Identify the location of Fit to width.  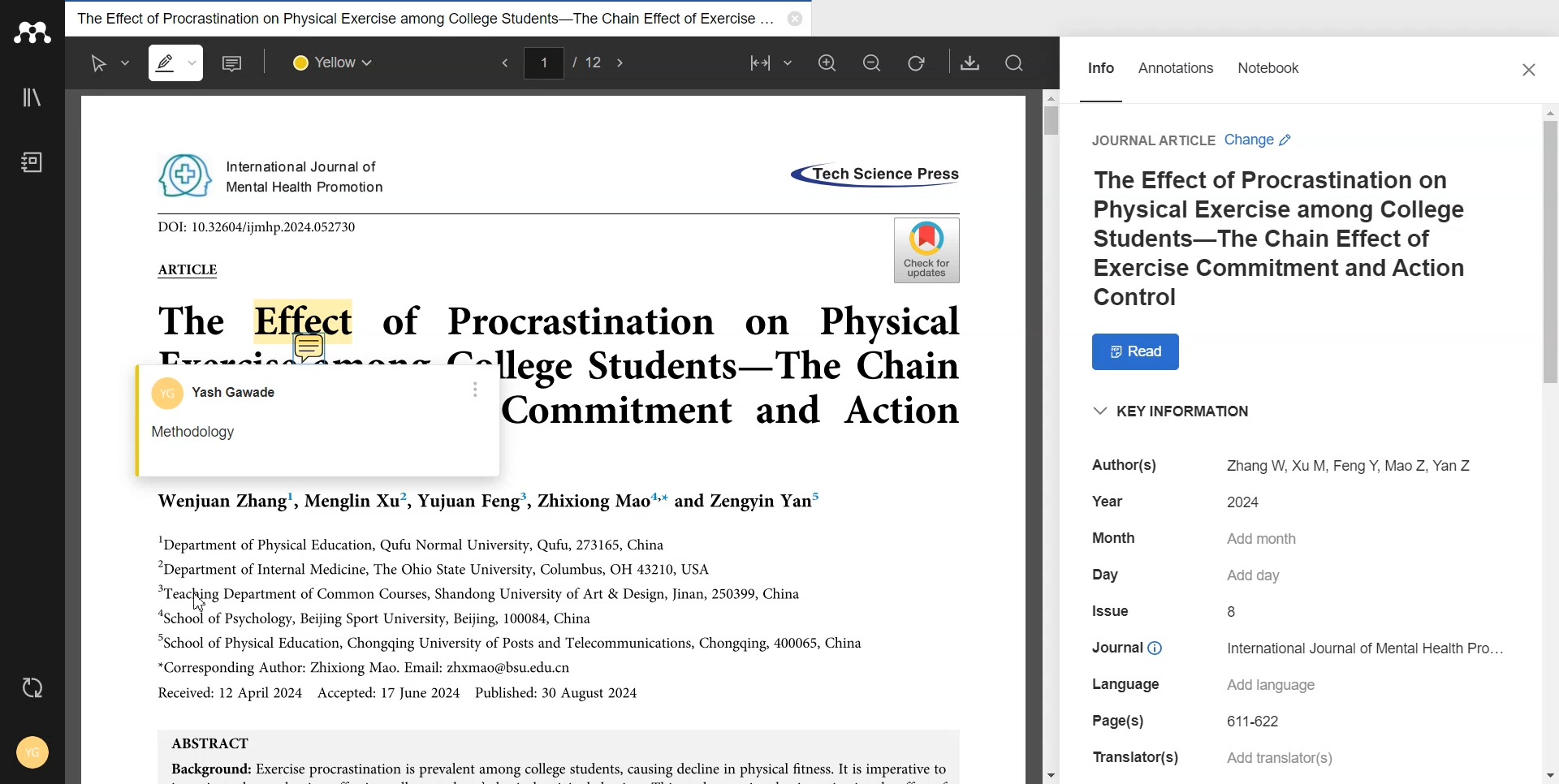
(773, 62).